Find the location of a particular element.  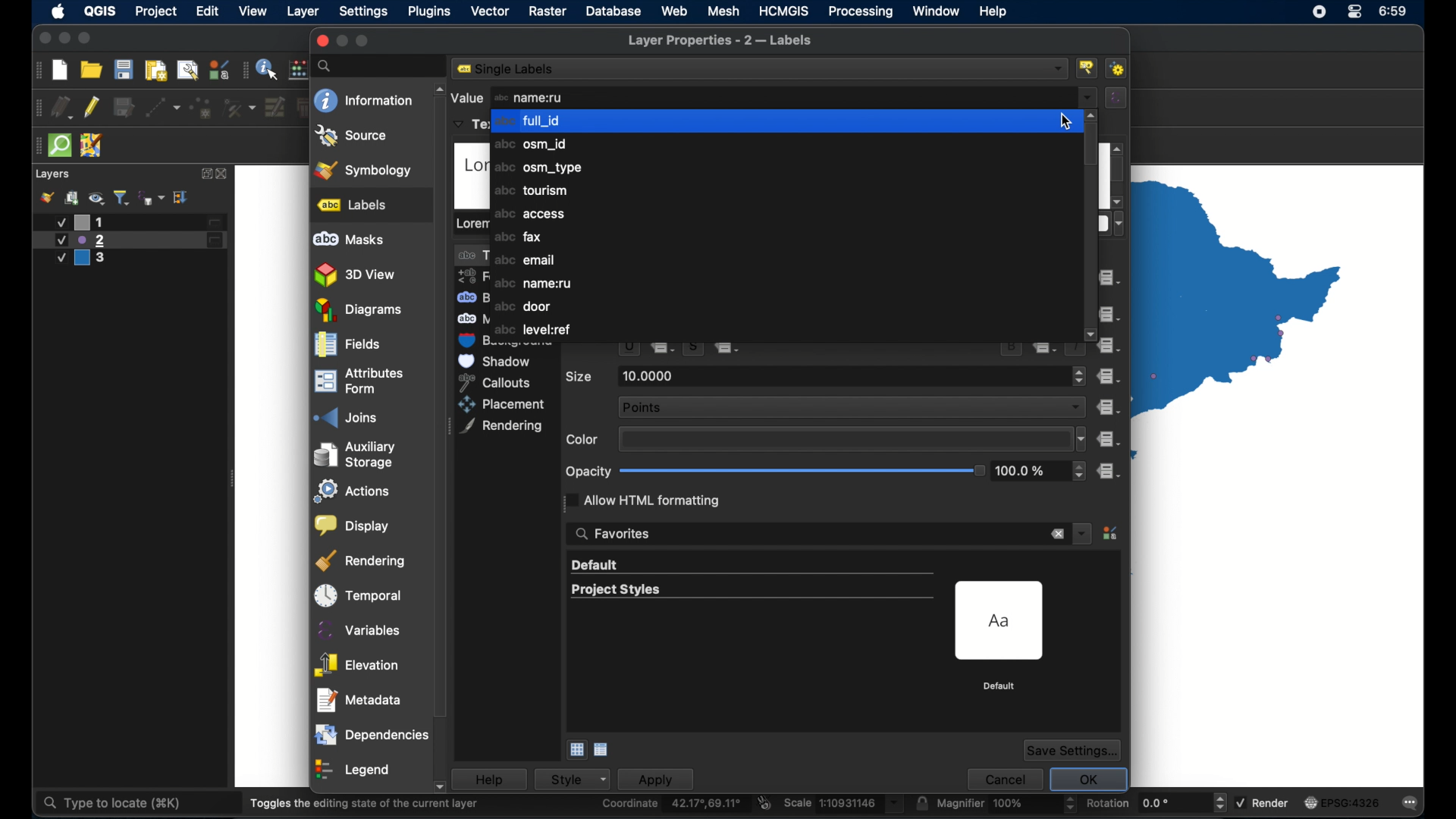

message is located at coordinates (1405, 801).